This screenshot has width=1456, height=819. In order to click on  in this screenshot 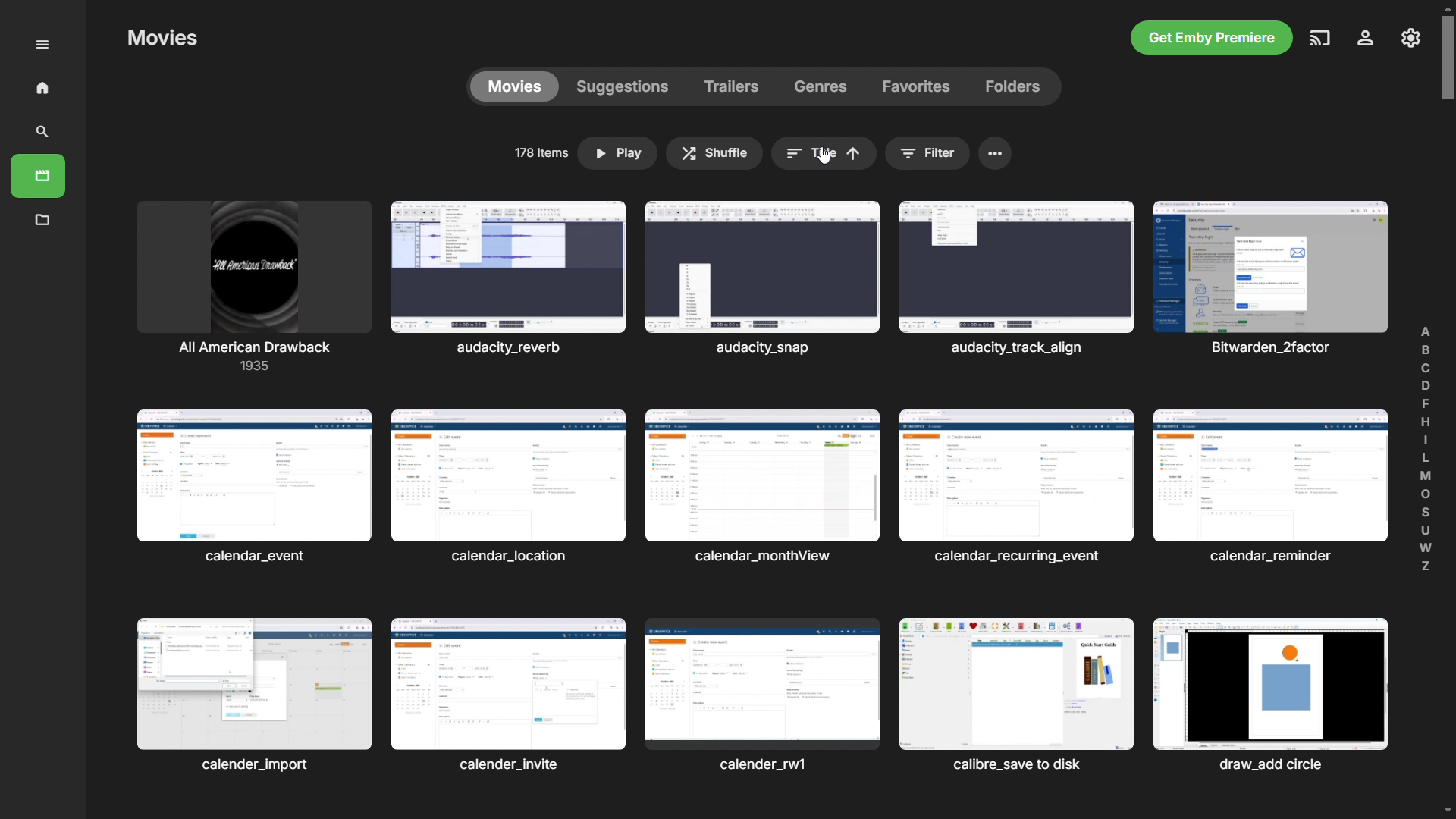, I will do `click(167, 39)`.